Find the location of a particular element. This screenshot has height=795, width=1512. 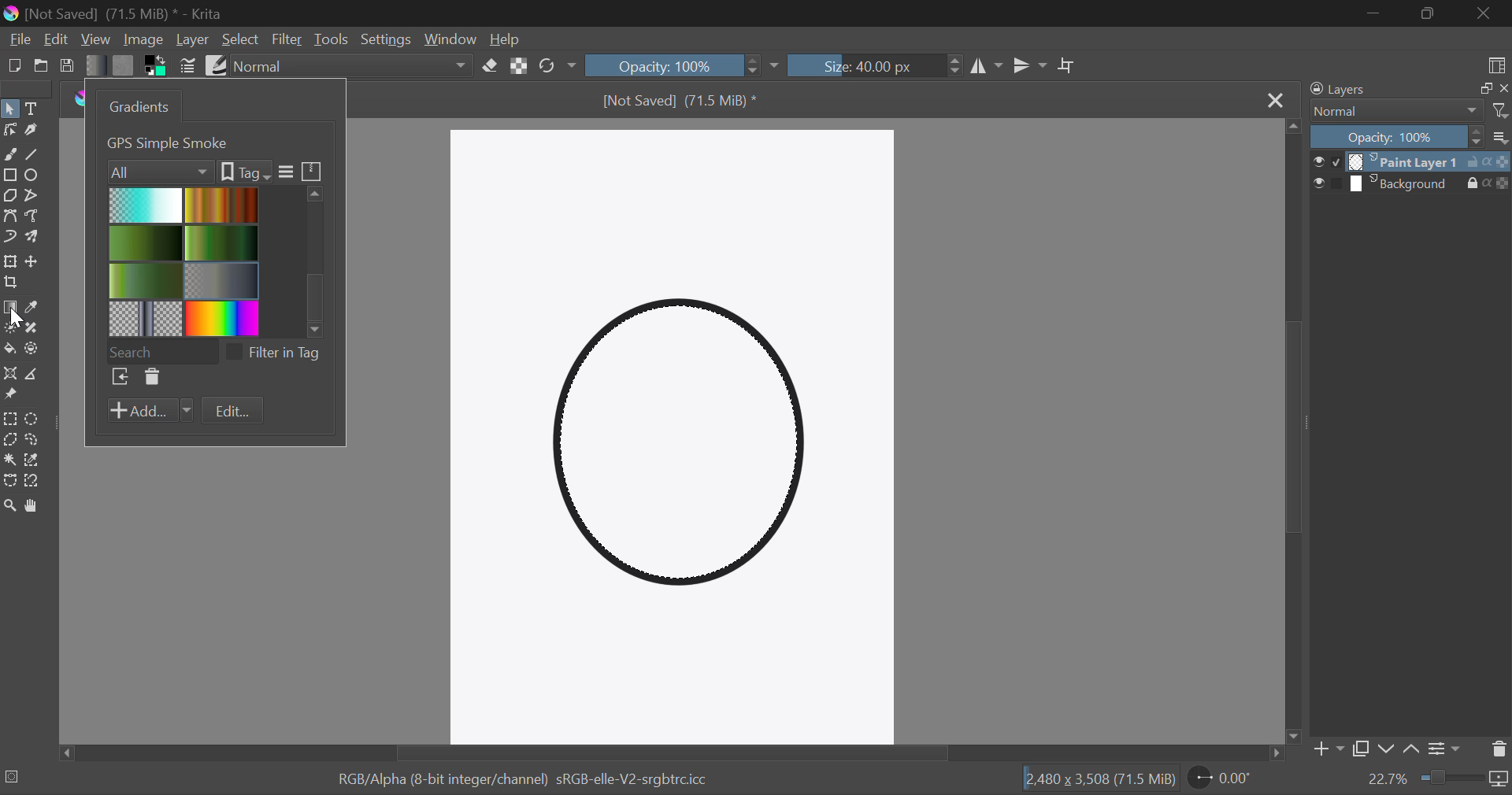

Brush Size is located at coordinates (878, 65).